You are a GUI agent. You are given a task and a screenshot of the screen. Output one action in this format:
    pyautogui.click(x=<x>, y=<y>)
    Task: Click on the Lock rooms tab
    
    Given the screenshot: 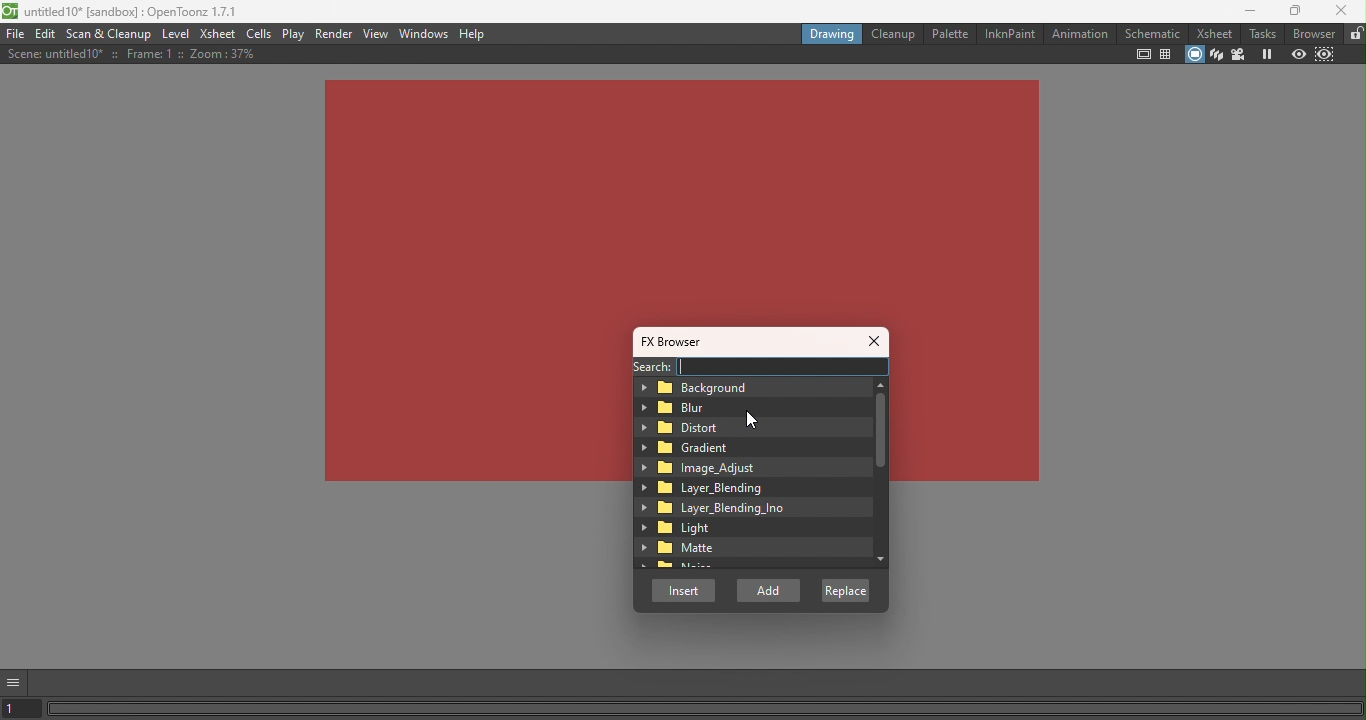 What is the action you would take?
    pyautogui.click(x=1356, y=34)
    